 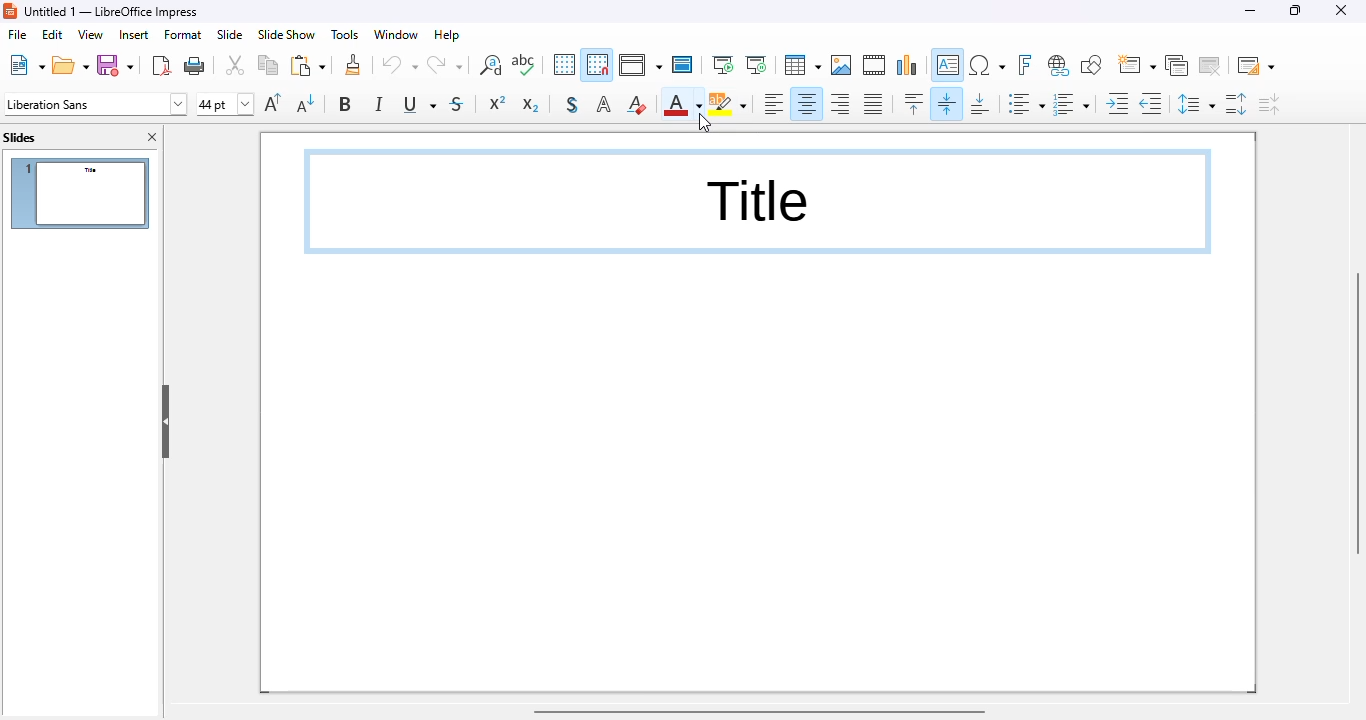 What do you see at coordinates (1296, 11) in the screenshot?
I see `maximize` at bounding box center [1296, 11].